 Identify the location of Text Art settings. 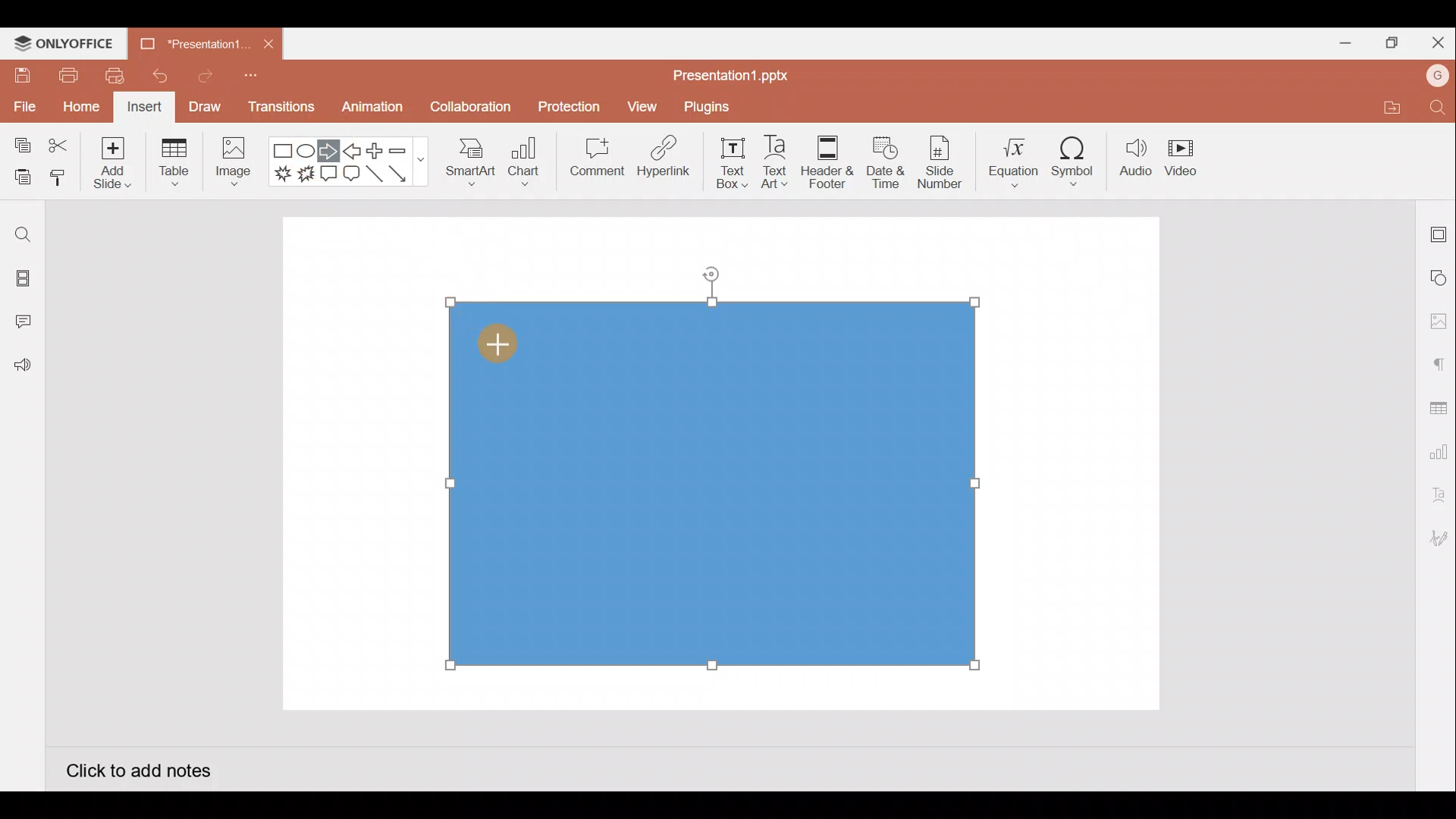
(1437, 495).